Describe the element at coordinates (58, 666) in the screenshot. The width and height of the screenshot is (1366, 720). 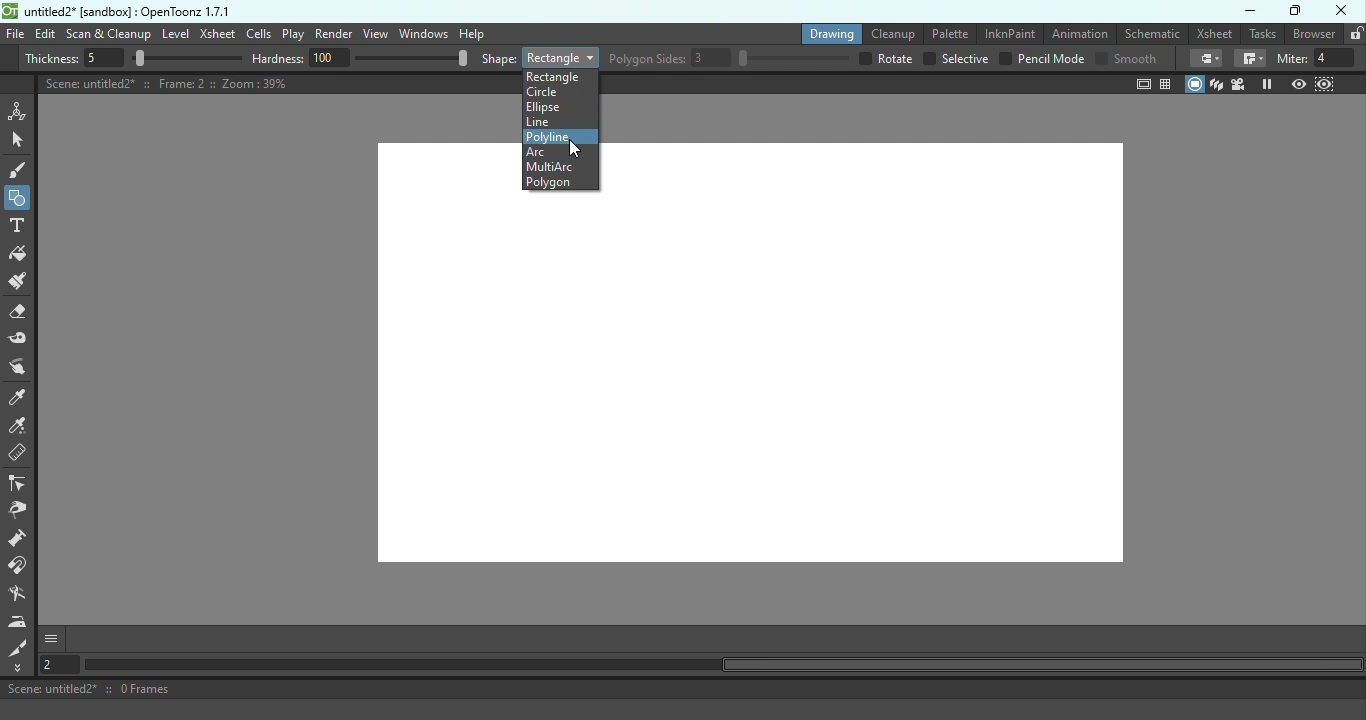
I see `Set the current frame` at that location.